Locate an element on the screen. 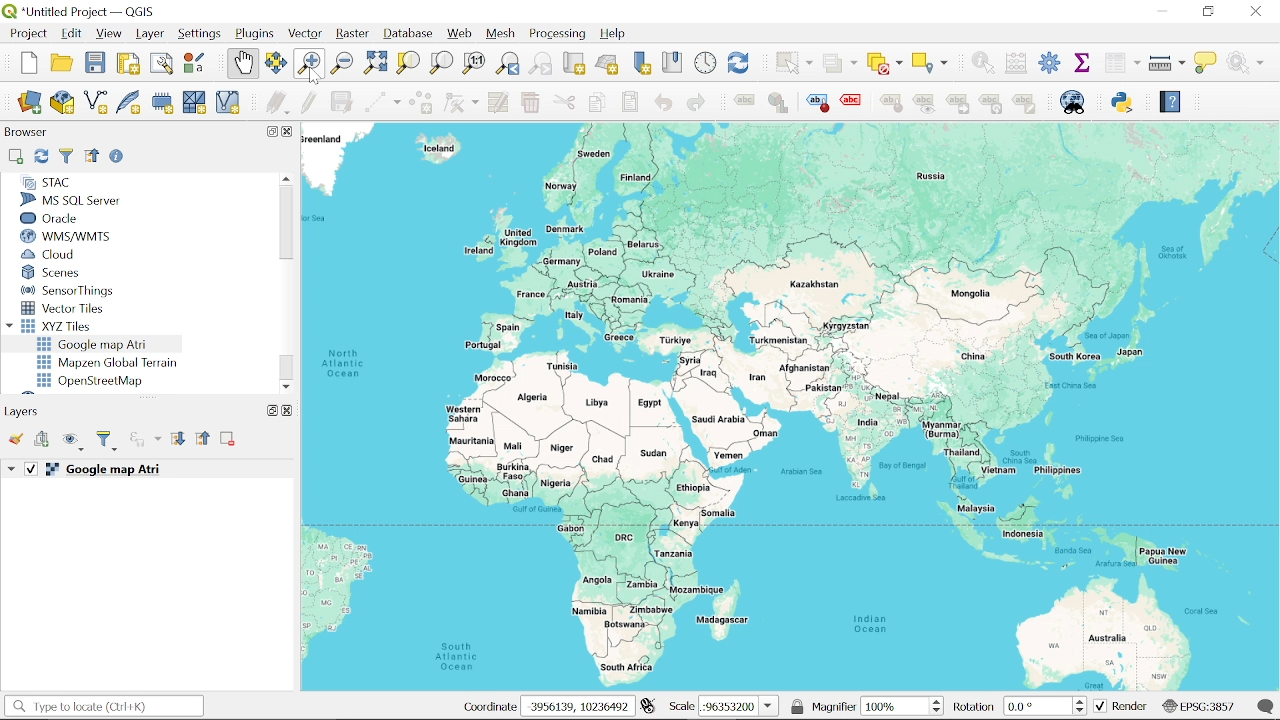  On/off is located at coordinates (32, 469).